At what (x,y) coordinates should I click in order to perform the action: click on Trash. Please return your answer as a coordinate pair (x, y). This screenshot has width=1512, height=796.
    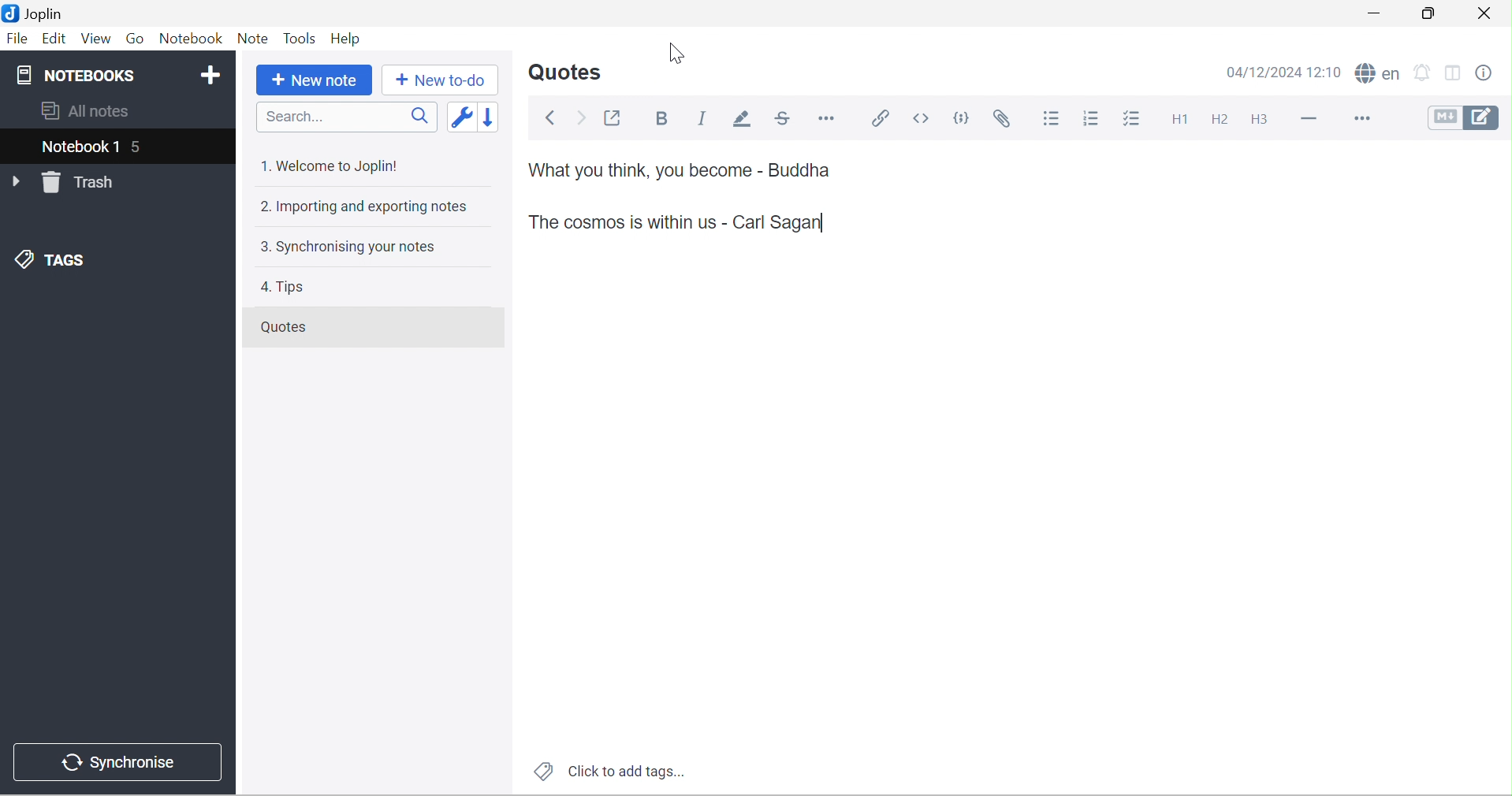
    Looking at the image, I should click on (84, 183).